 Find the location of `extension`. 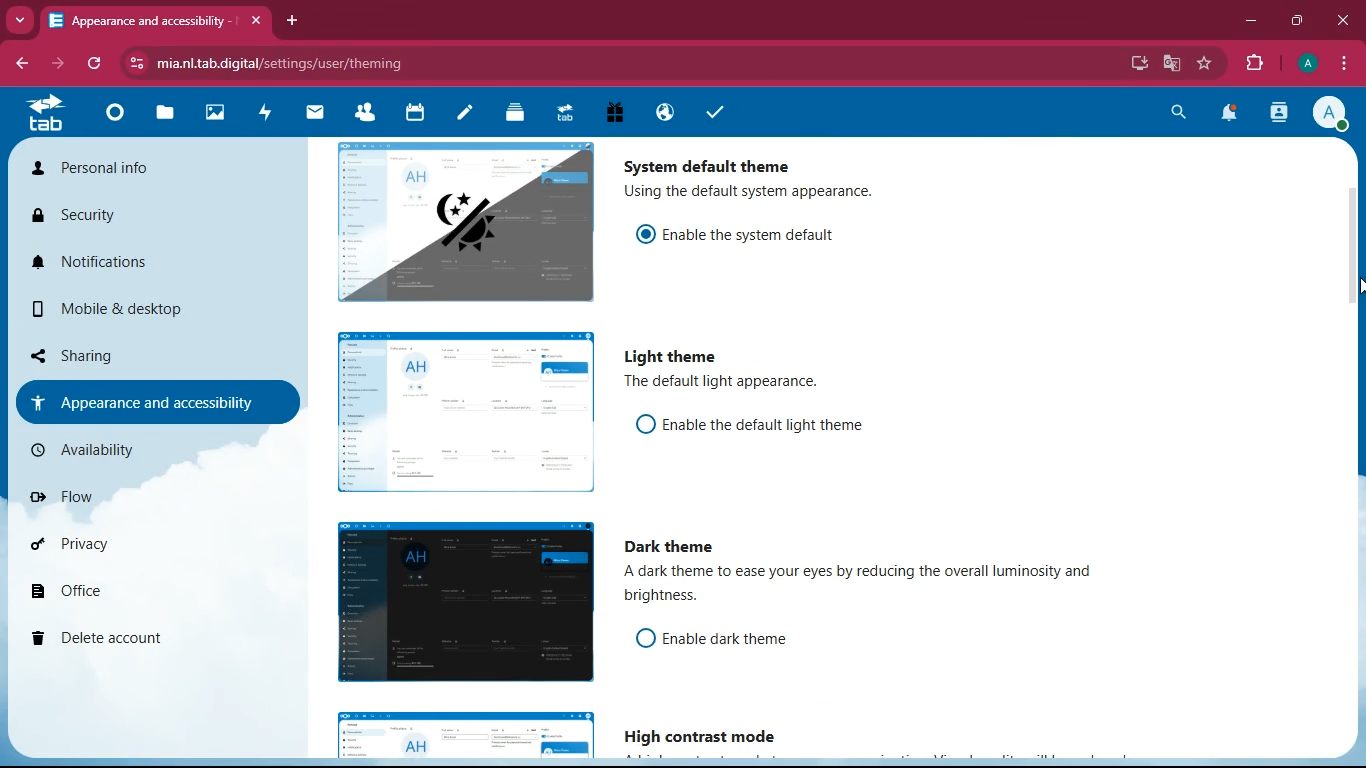

extension is located at coordinates (1259, 63).